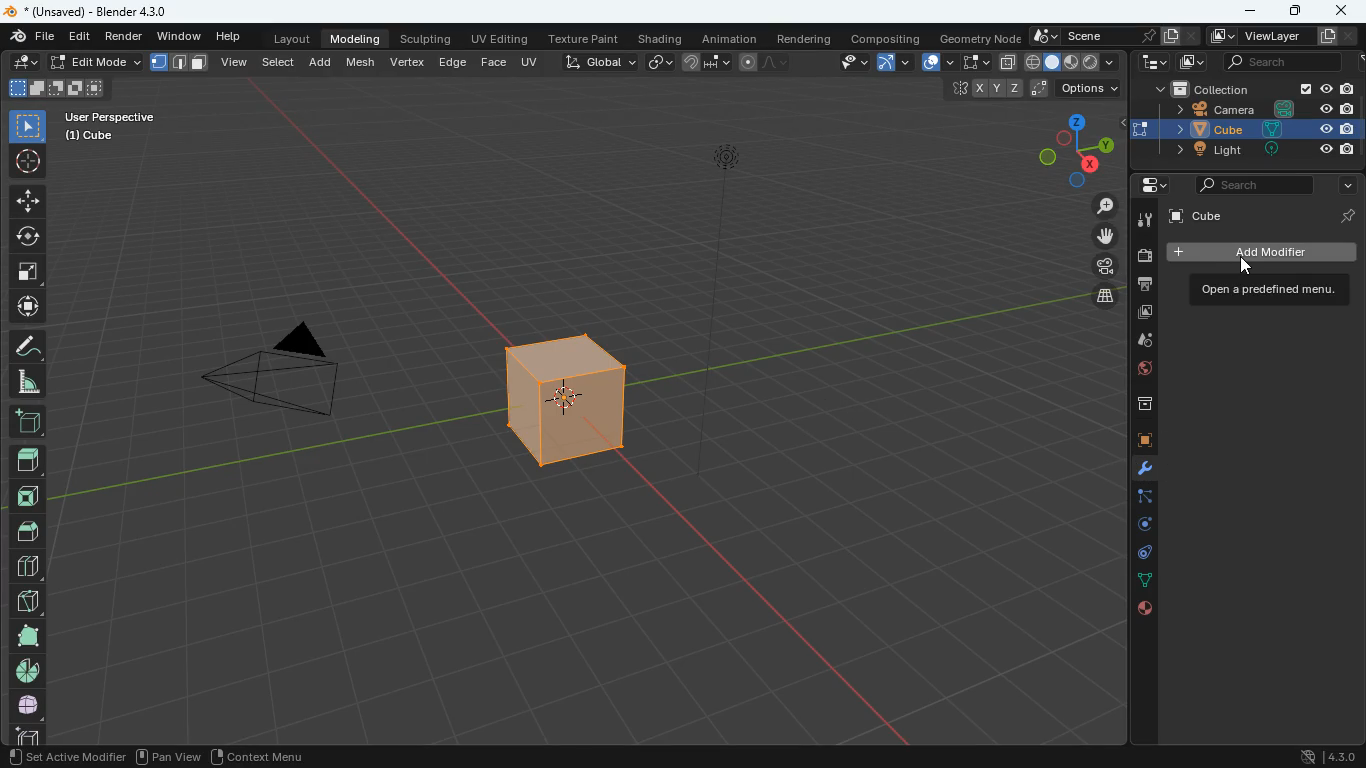  What do you see at coordinates (1323, 756) in the screenshot?
I see `4.3.0` at bounding box center [1323, 756].